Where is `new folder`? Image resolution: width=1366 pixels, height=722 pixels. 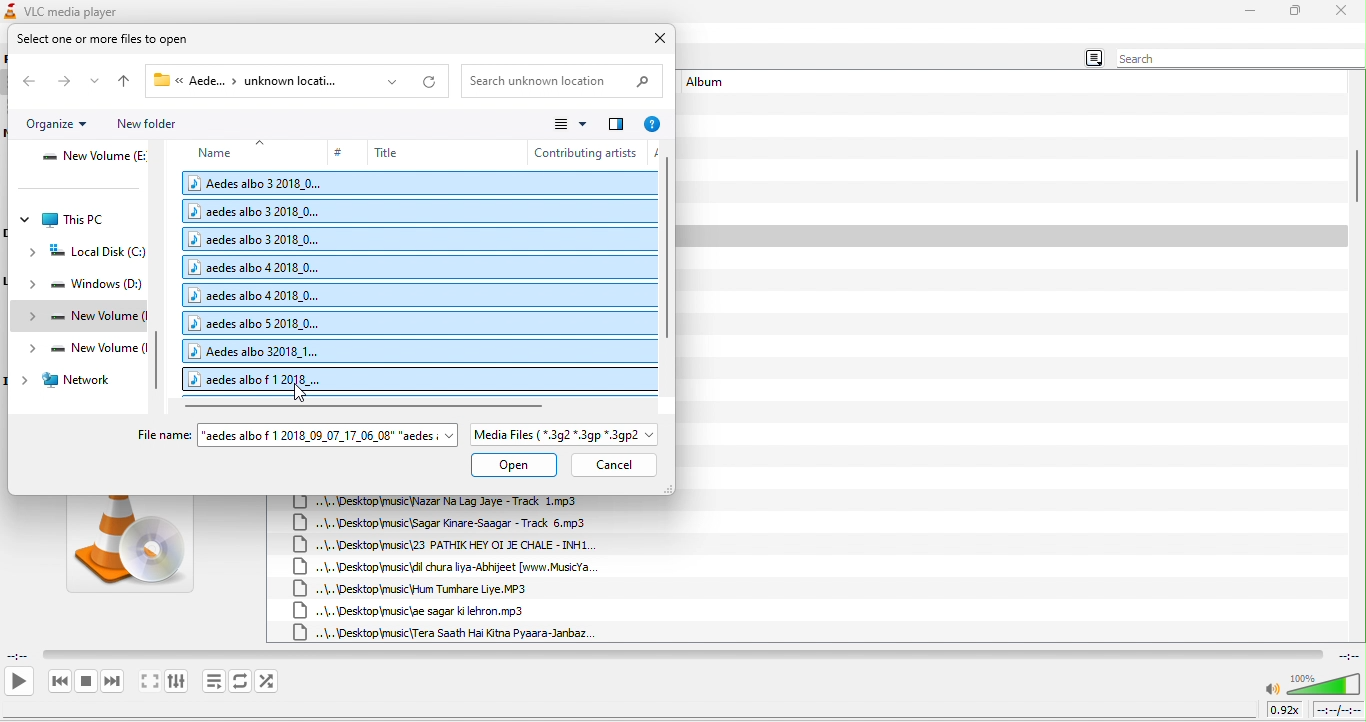
new folder is located at coordinates (147, 124).